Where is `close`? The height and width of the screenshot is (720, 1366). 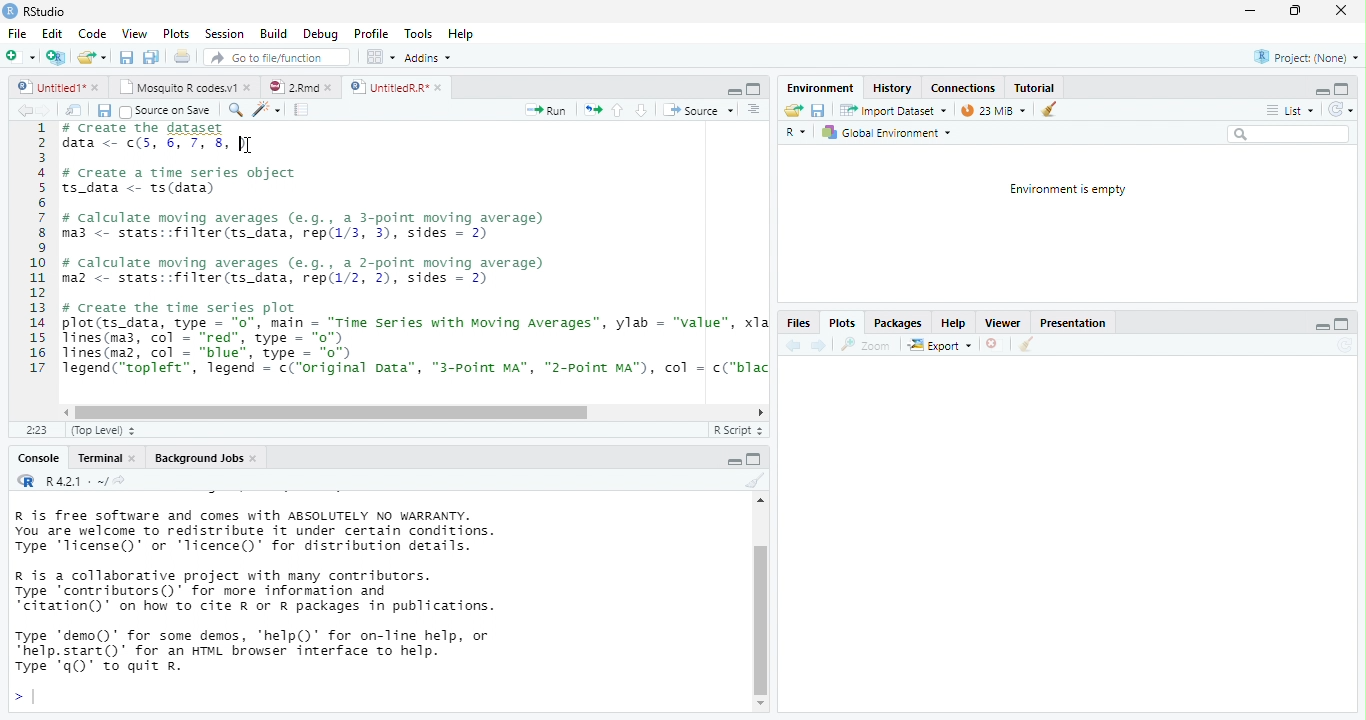
close is located at coordinates (97, 88).